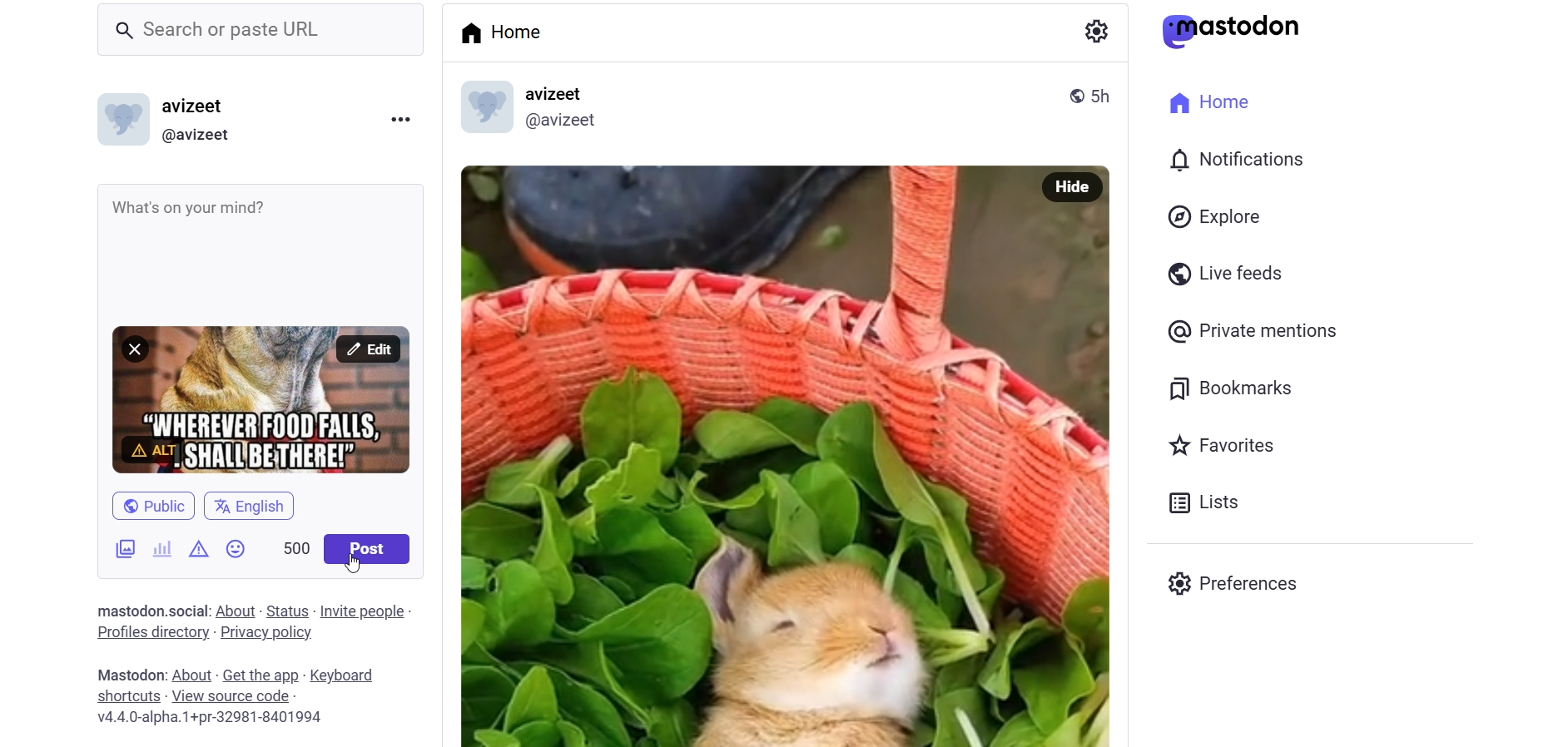  Describe the element at coordinates (1215, 101) in the screenshot. I see `home` at that location.